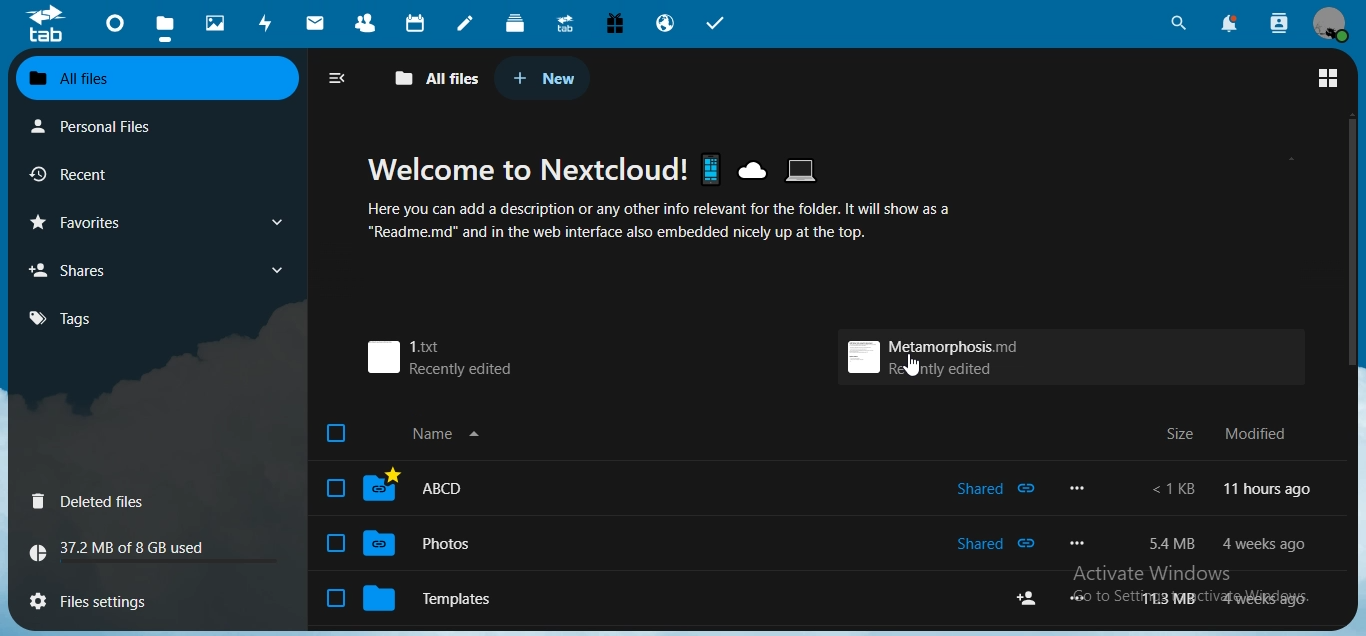 This screenshot has height=636, width=1366. I want to click on icon, so click(49, 27).